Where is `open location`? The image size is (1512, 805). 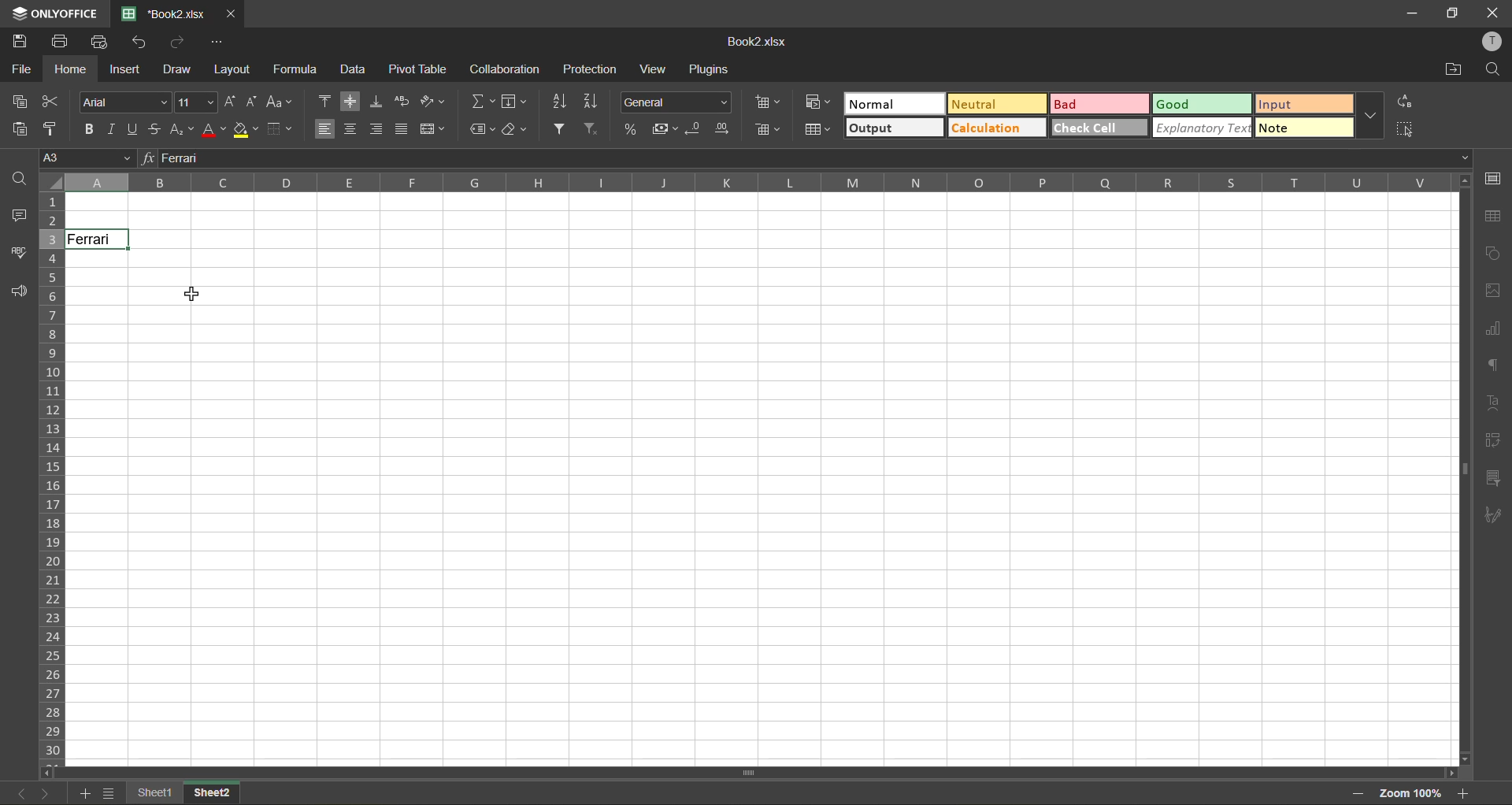 open location is located at coordinates (1455, 69).